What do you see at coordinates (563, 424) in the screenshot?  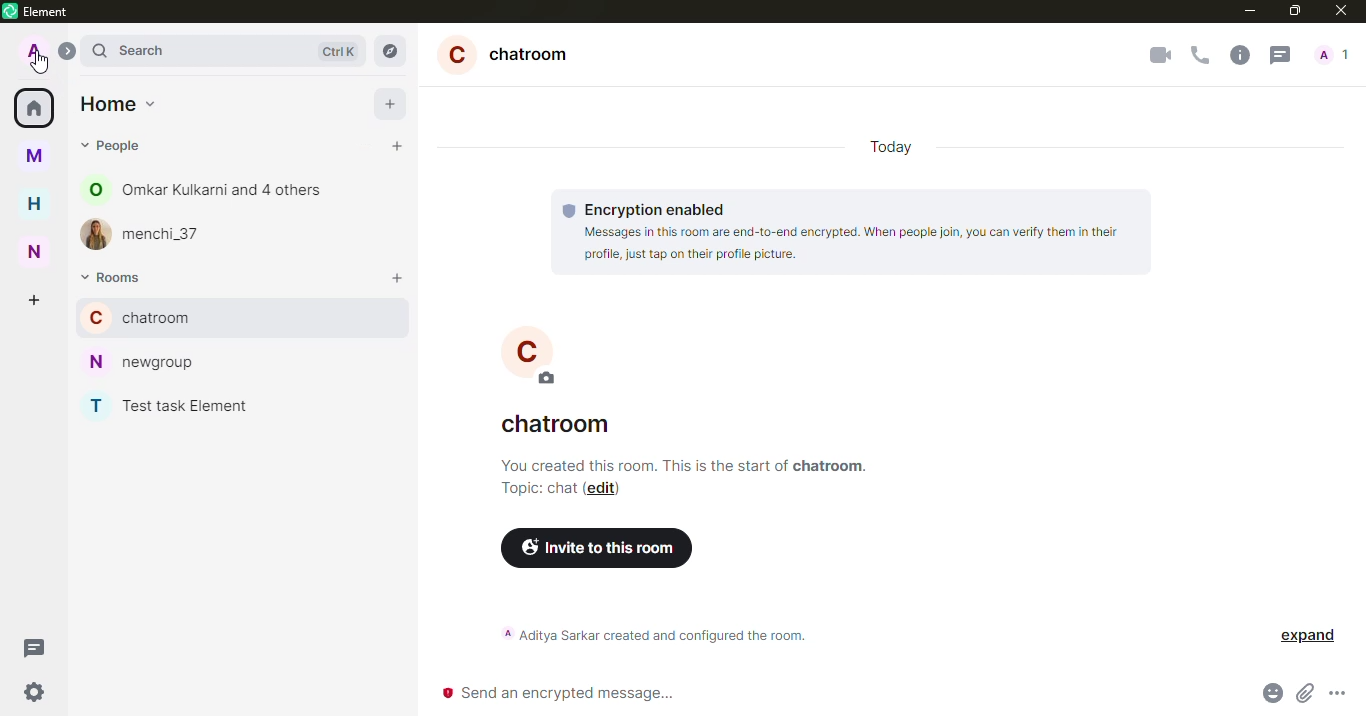 I see `chatroom` at bounding box center [563, 424].